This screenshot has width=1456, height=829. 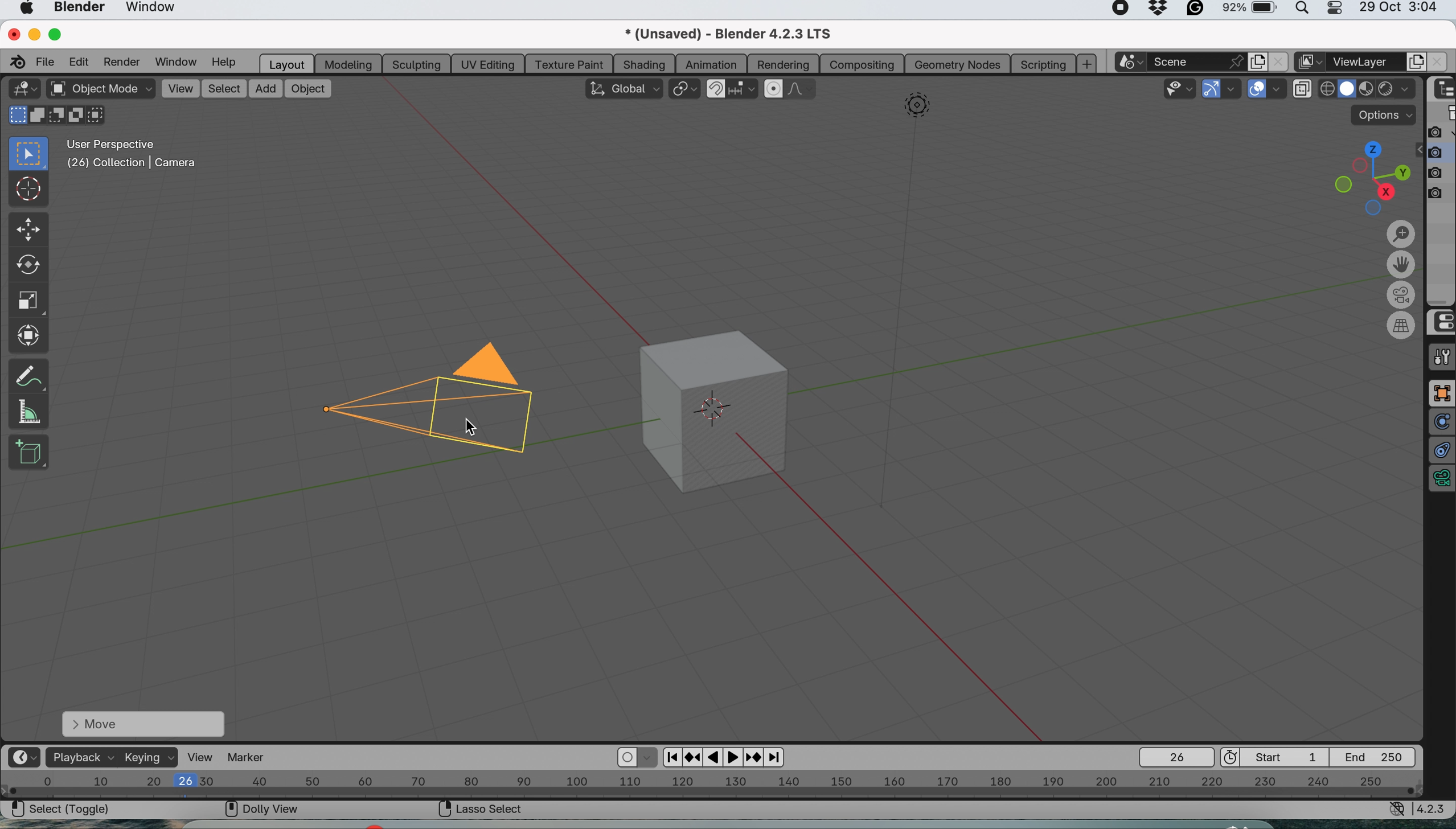 I want to click on battery- 92%, so click(x=1256, y=11).